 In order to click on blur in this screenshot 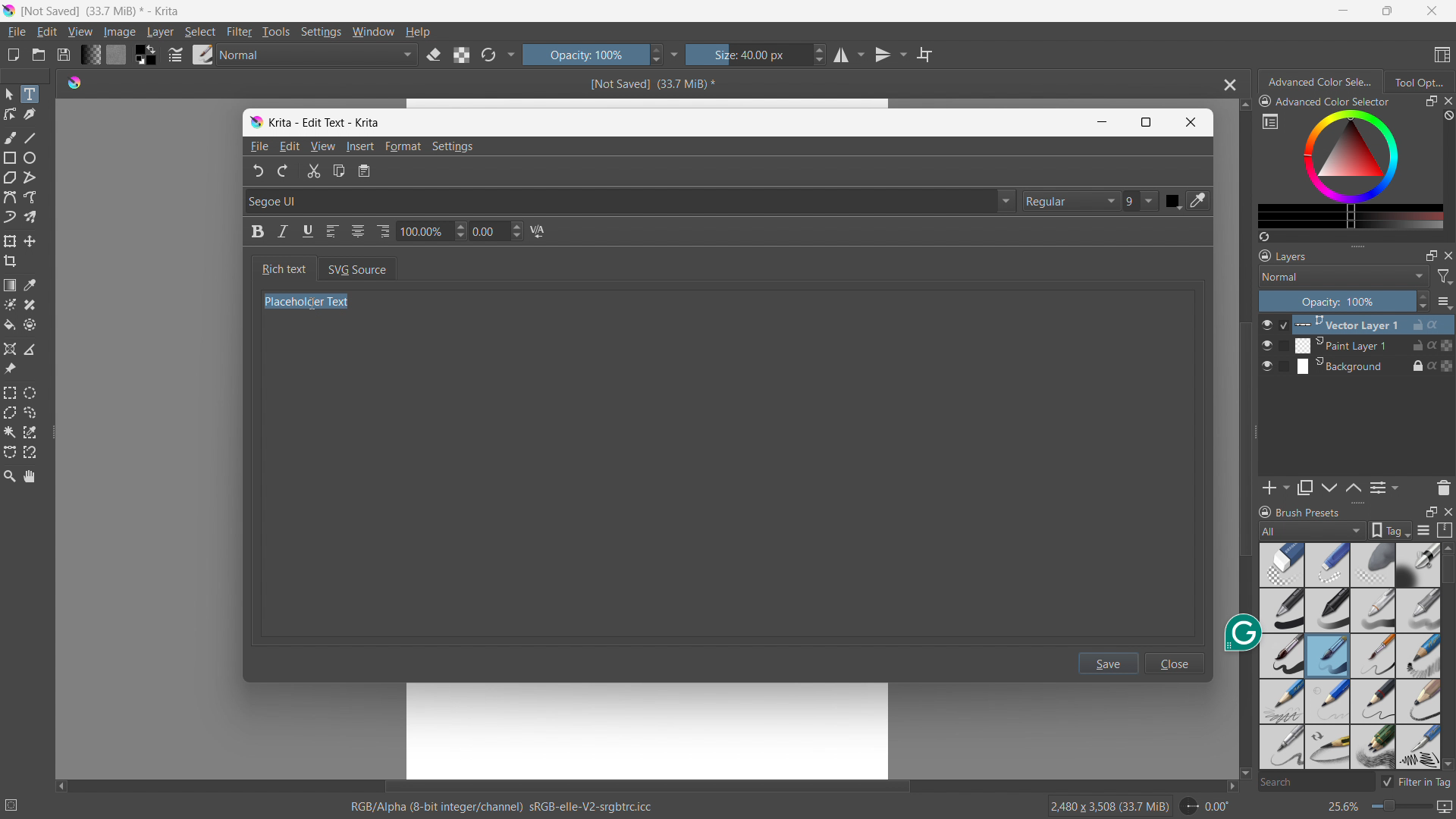, I will do `click(1372, 565)`.